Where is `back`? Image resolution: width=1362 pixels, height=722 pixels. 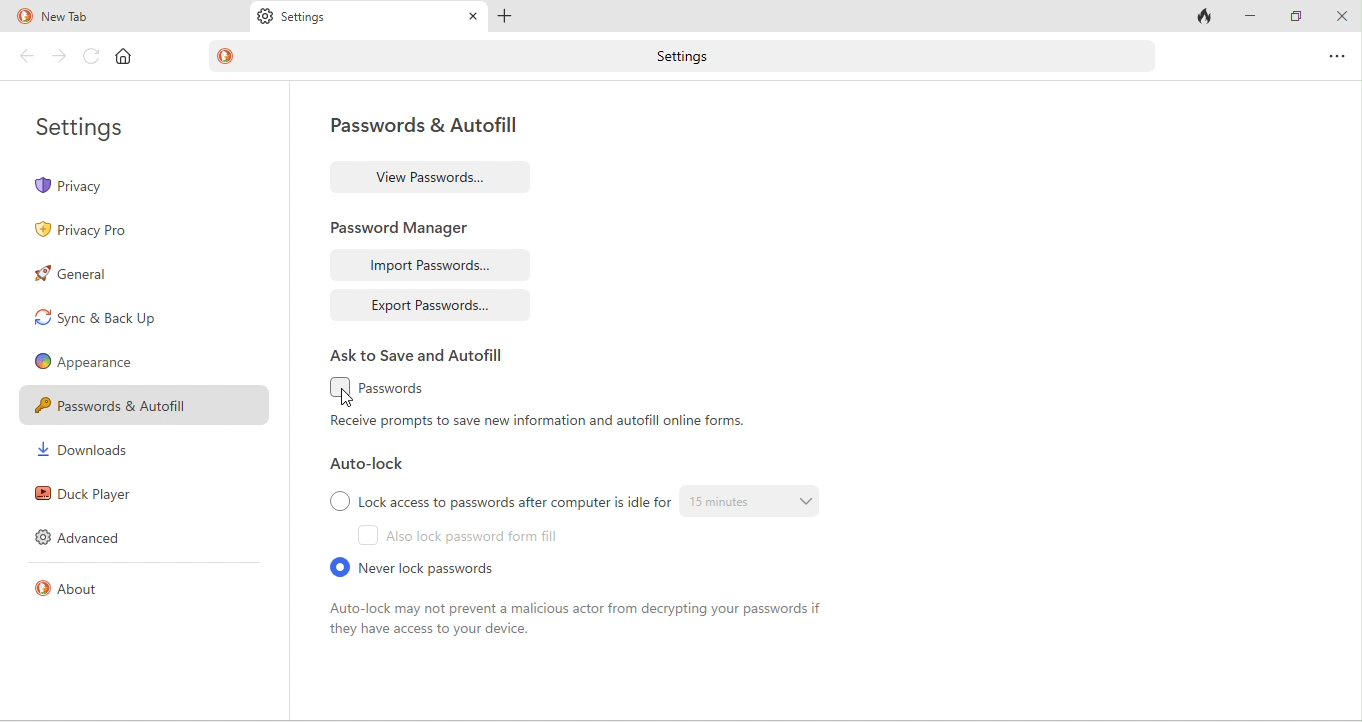
back is located at coordinates (26, 56).